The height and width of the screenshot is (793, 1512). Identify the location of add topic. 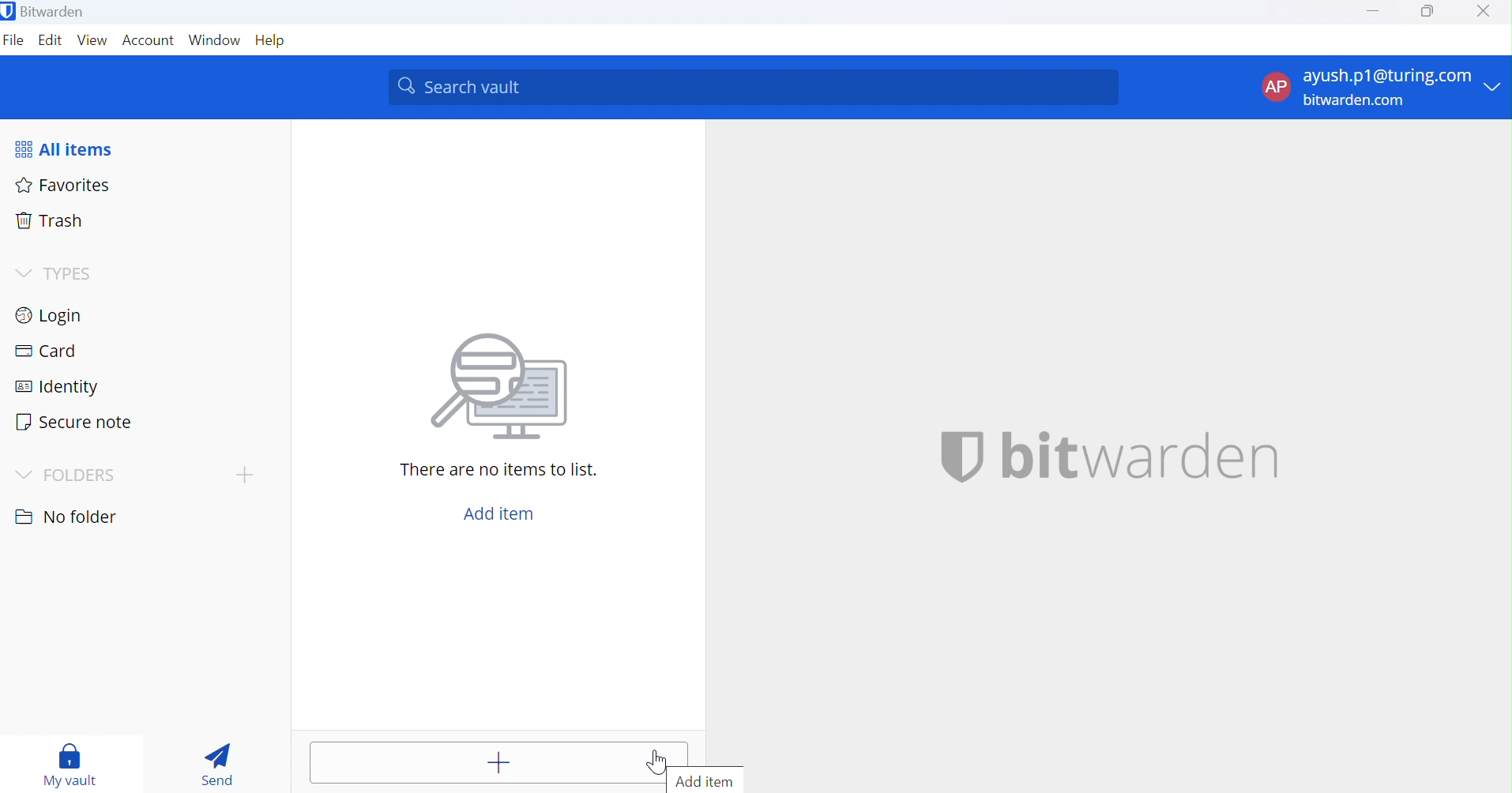
(245, 474).